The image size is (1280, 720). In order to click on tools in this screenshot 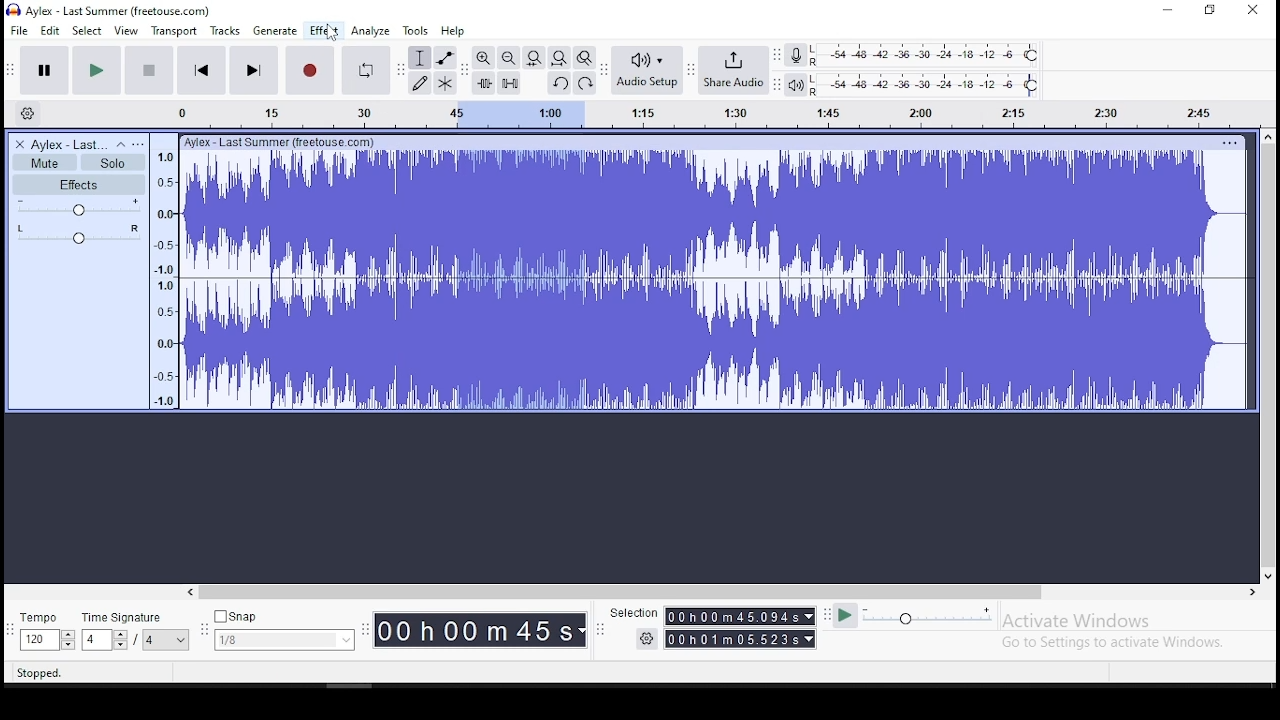, I will do `click(416, 30)`.